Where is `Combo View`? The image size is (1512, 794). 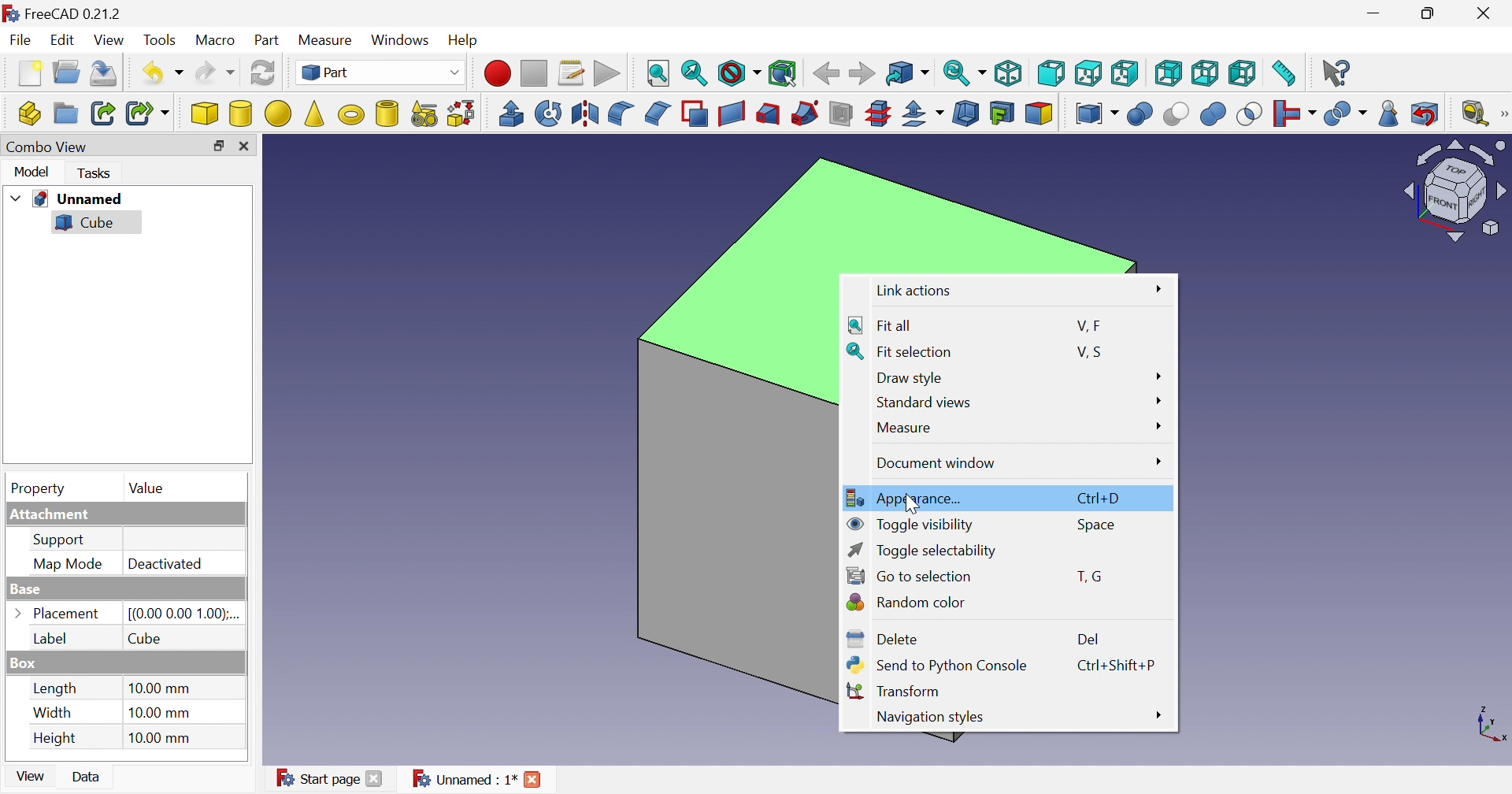
Combo View is located at coordinates (47, 147).